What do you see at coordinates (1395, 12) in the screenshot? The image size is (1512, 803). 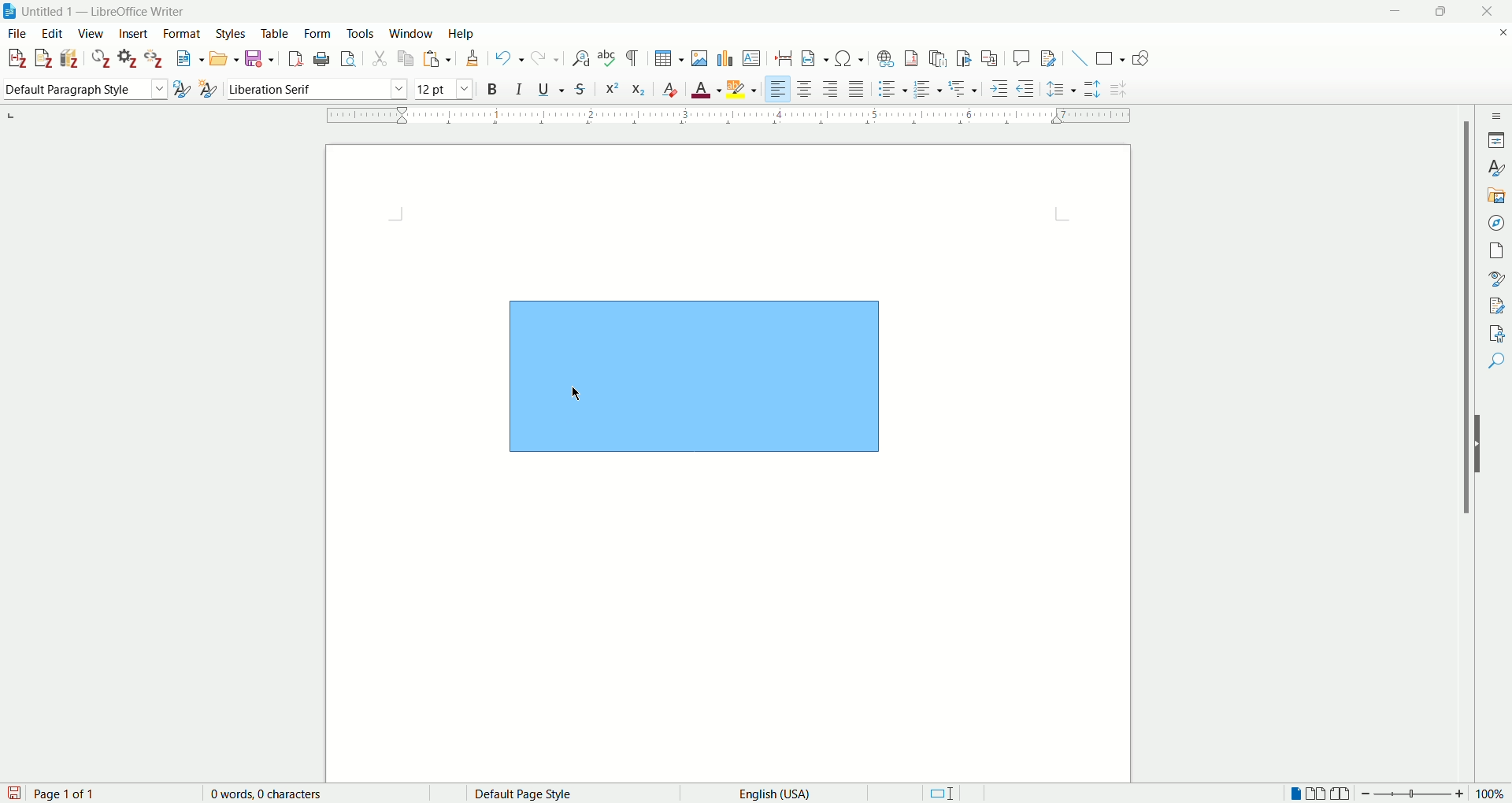 I see `minimize` at bounding box center [1395, 12].